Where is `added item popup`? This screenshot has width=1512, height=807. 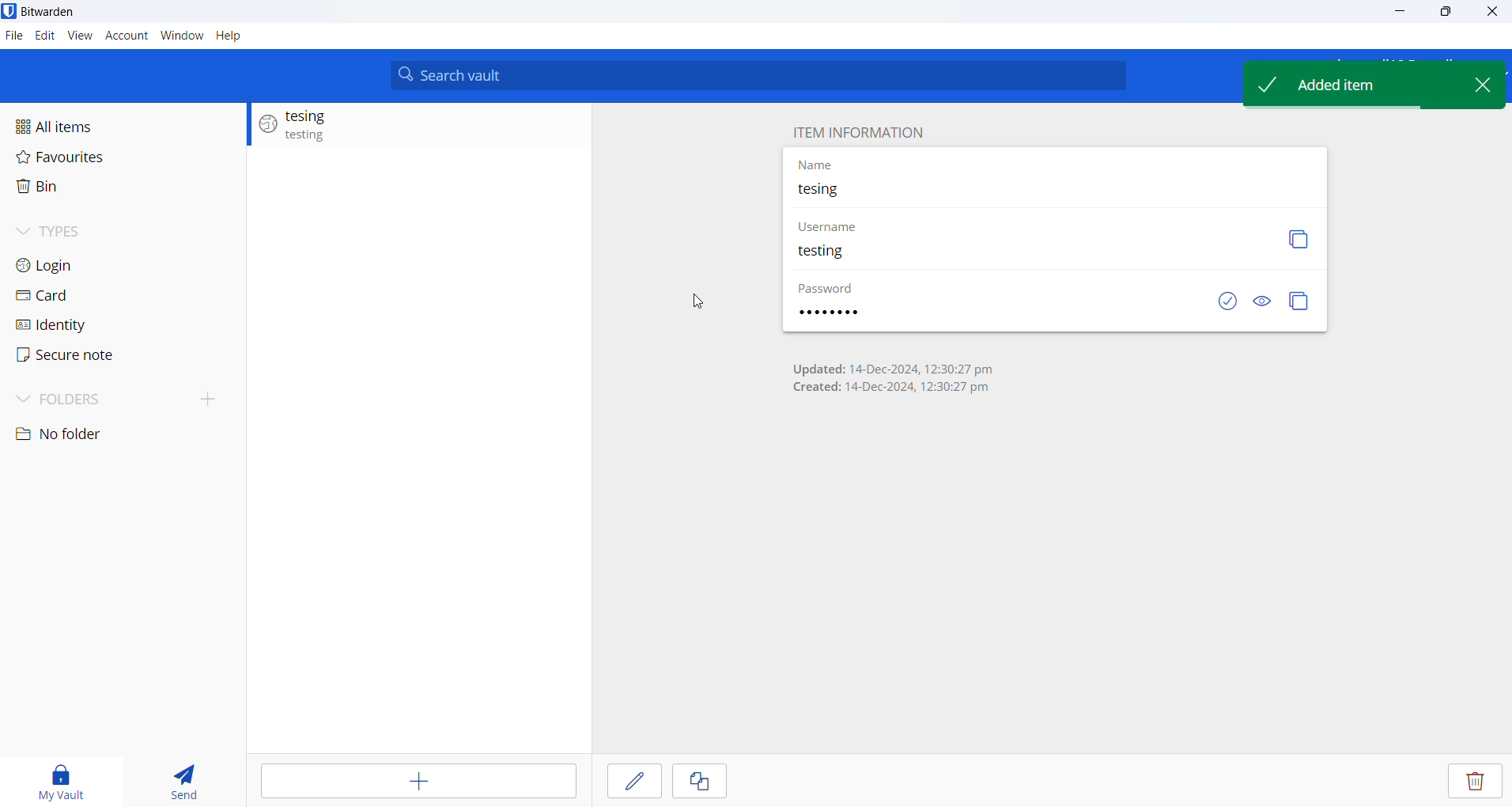
added item popup is located at coordinates (1346, 86).